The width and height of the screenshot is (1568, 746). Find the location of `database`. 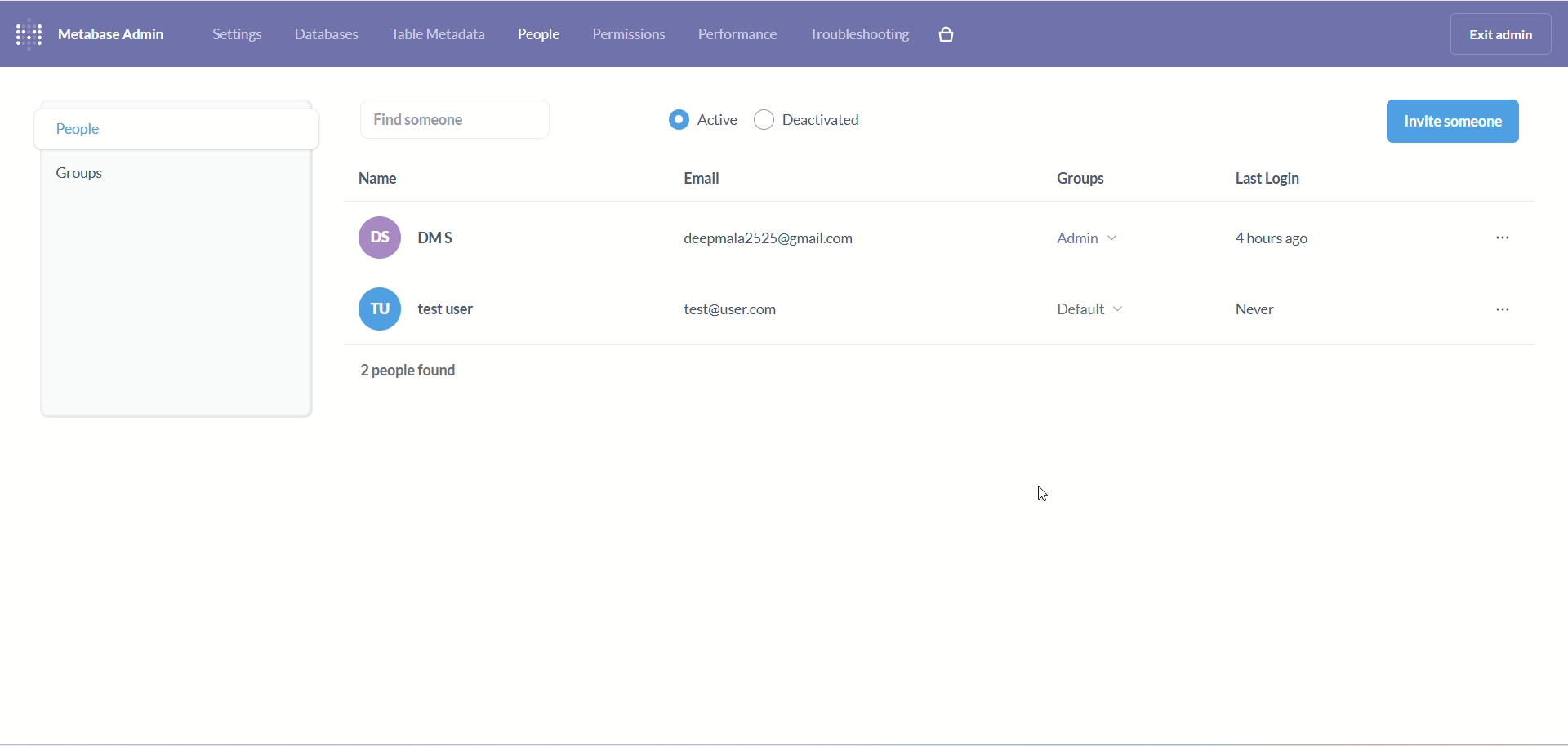

database is located at coordinates (330, 34).